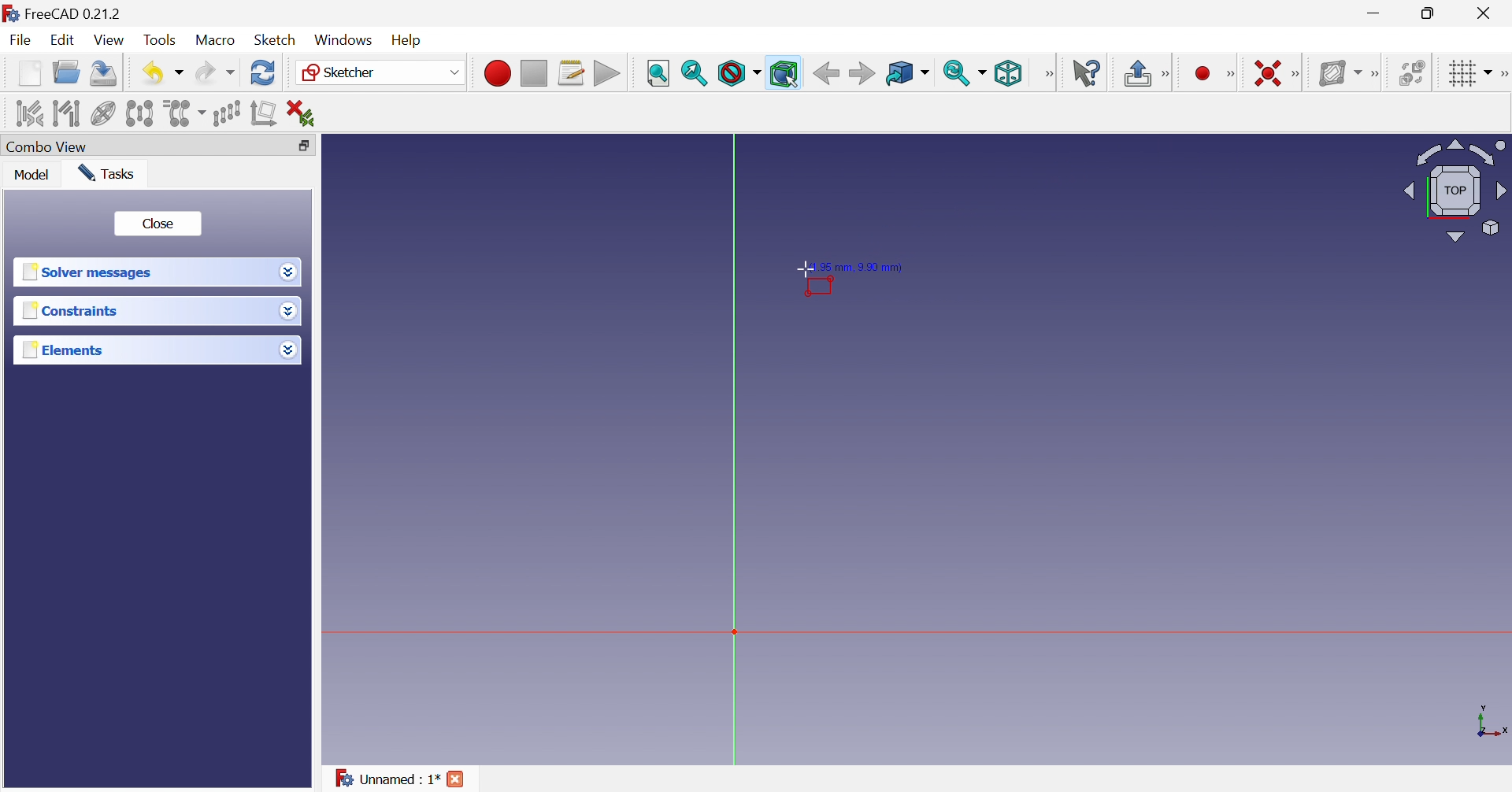 The width and height of the screenshot is (1512, 792). I want to click on Close, so click(1484, 13).